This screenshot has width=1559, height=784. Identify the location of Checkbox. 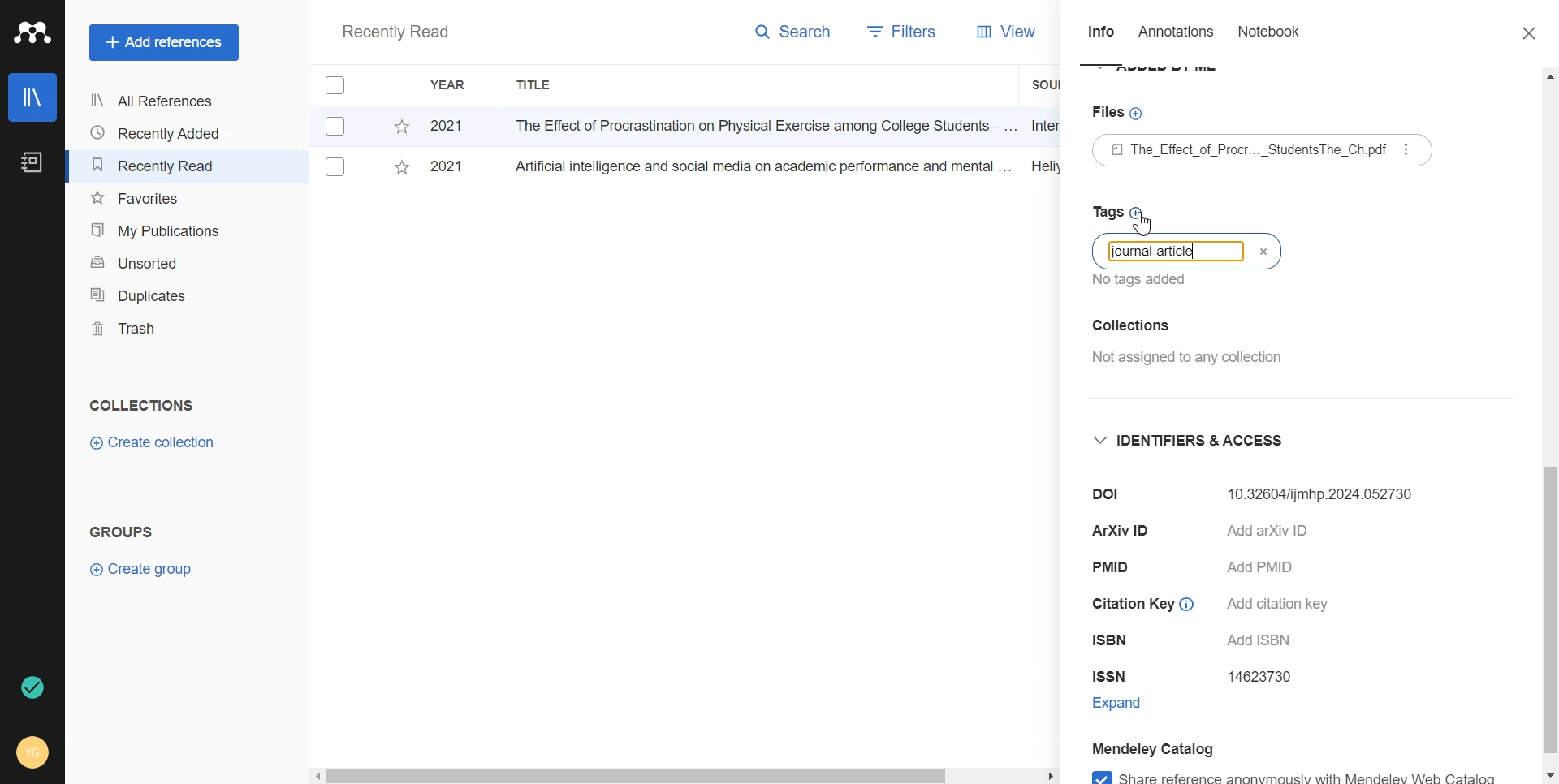
(340, 84).